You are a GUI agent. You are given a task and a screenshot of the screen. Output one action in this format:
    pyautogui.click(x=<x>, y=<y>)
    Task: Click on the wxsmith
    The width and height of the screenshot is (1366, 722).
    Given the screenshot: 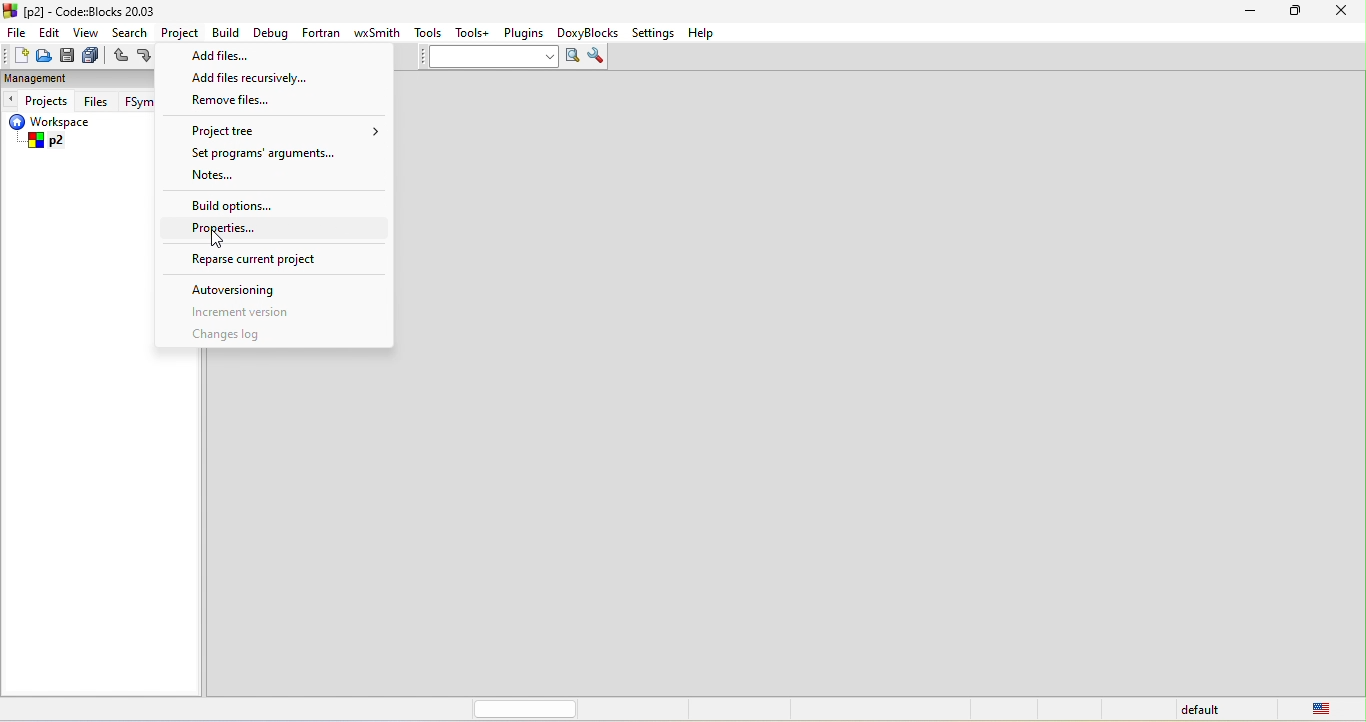 What is the action you would take?
    pyautogui.click(x=379, y=32)
    